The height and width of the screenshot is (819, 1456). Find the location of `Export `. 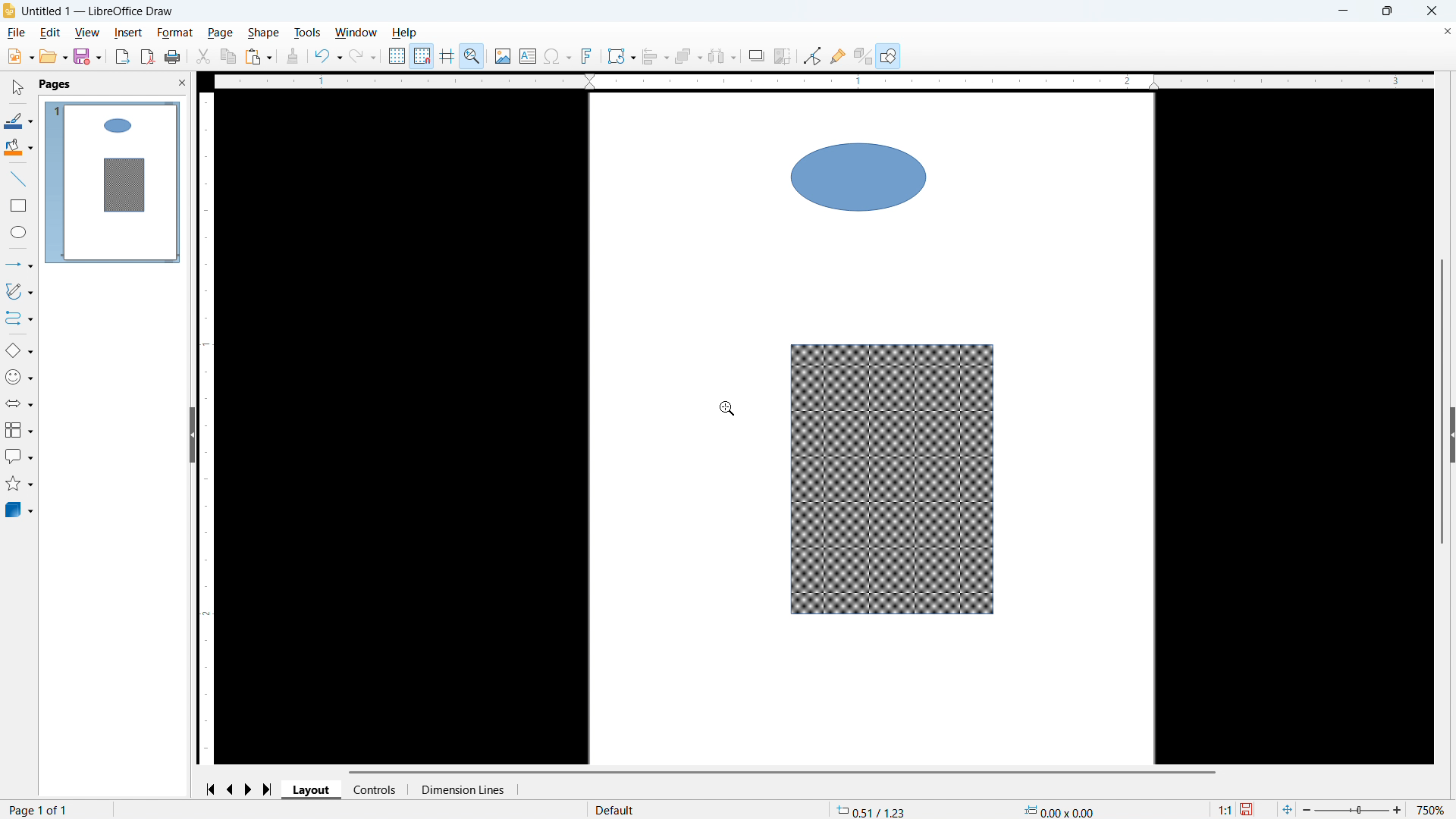

Export  is located at coordinates (122, 56).